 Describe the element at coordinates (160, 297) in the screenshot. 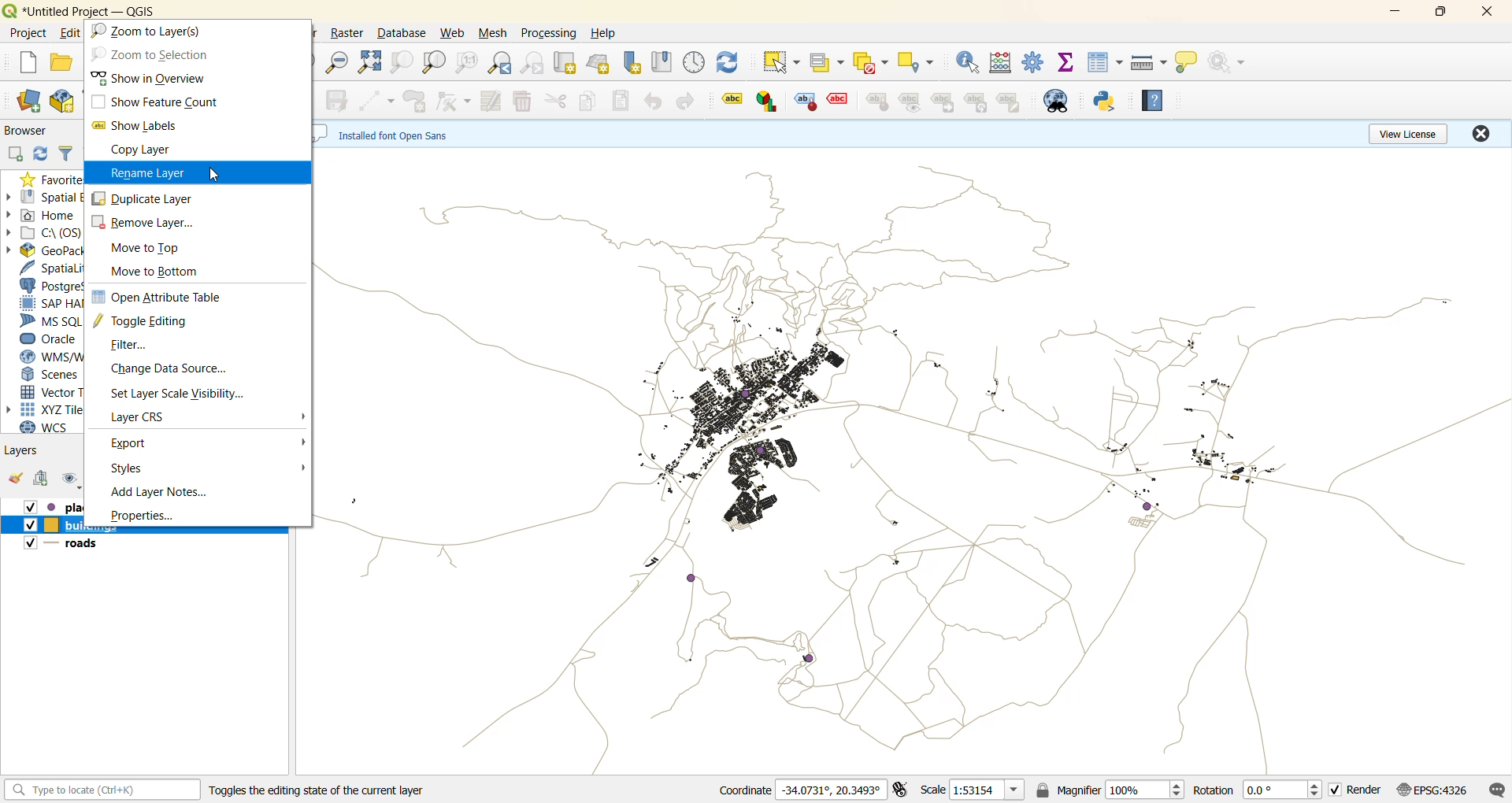

I see `open attribute table` at that location.